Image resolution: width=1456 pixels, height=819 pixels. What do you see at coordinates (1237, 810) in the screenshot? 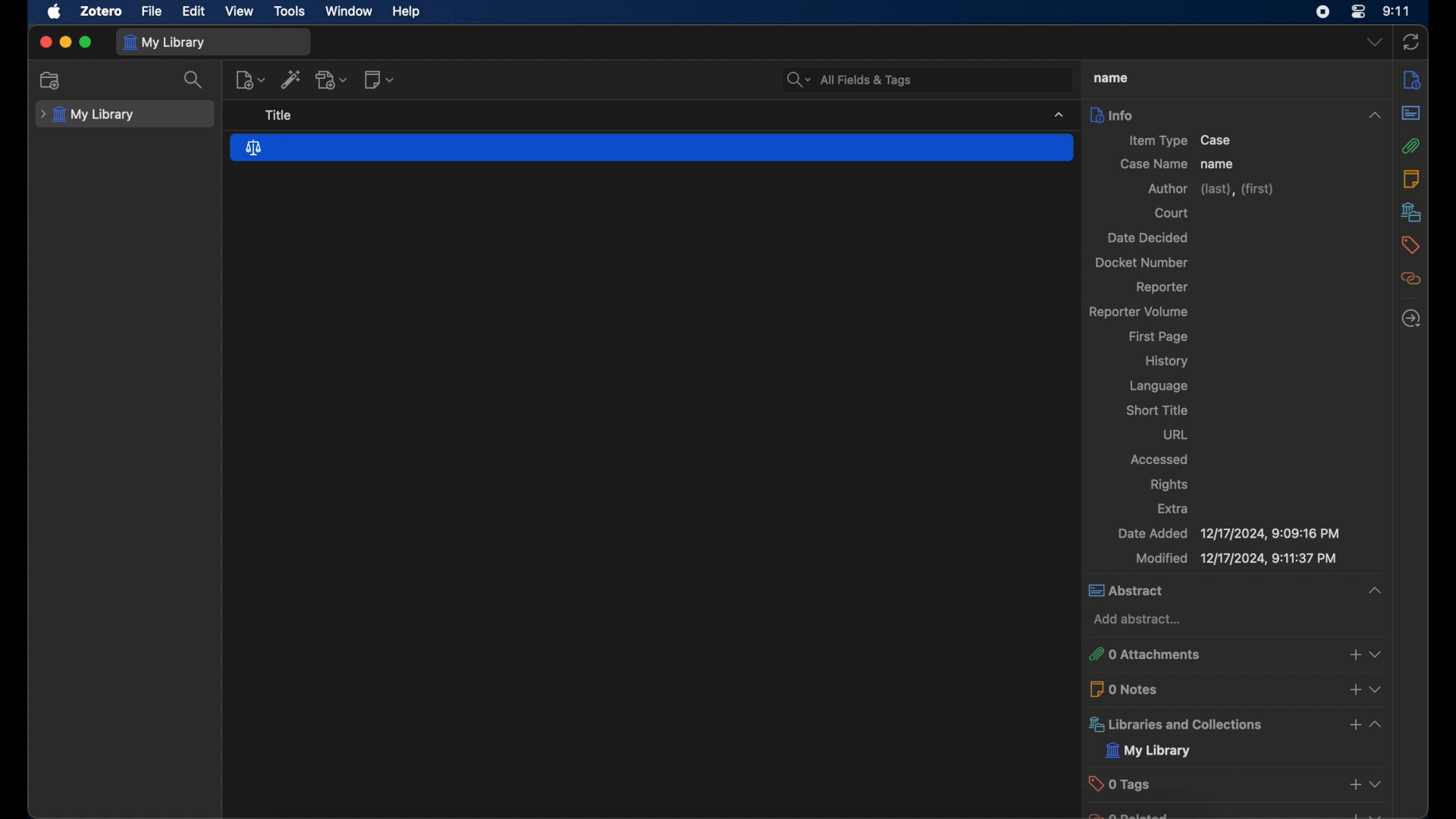
I see `obscure text` at bounding box center [1237, 810].